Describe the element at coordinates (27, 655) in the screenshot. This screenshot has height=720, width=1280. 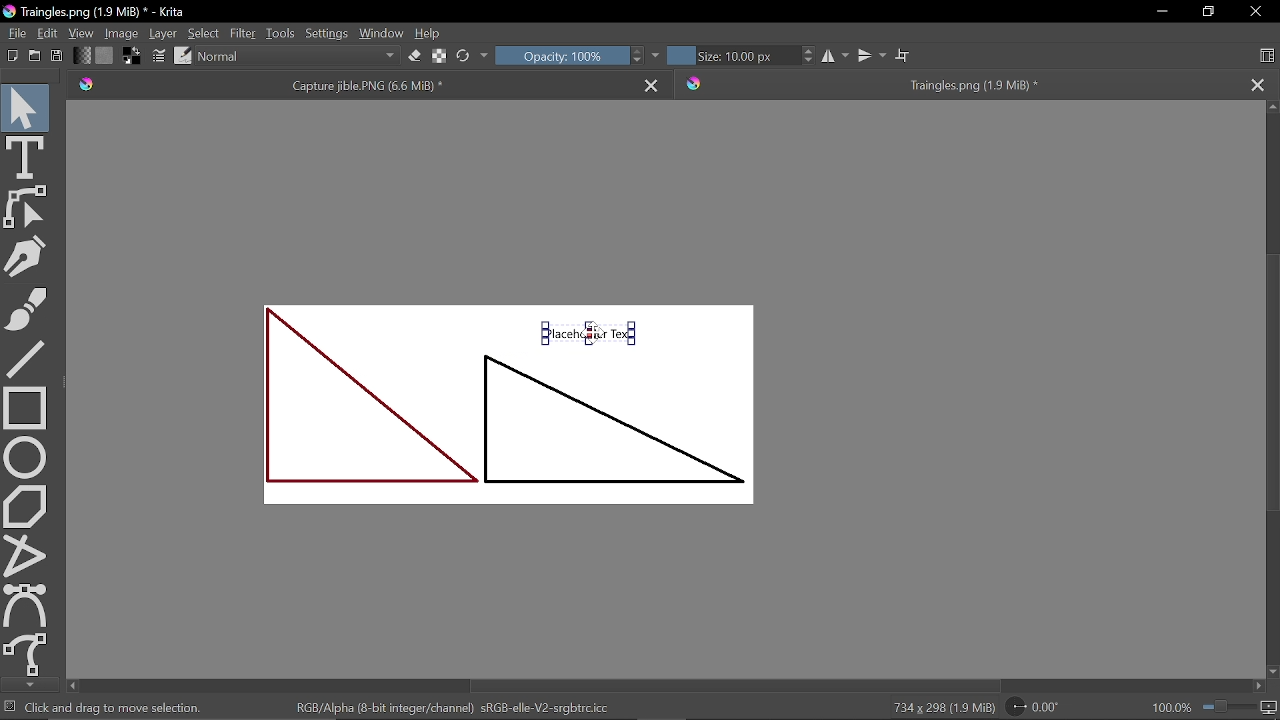
I see `Freehand select tool` at that location.